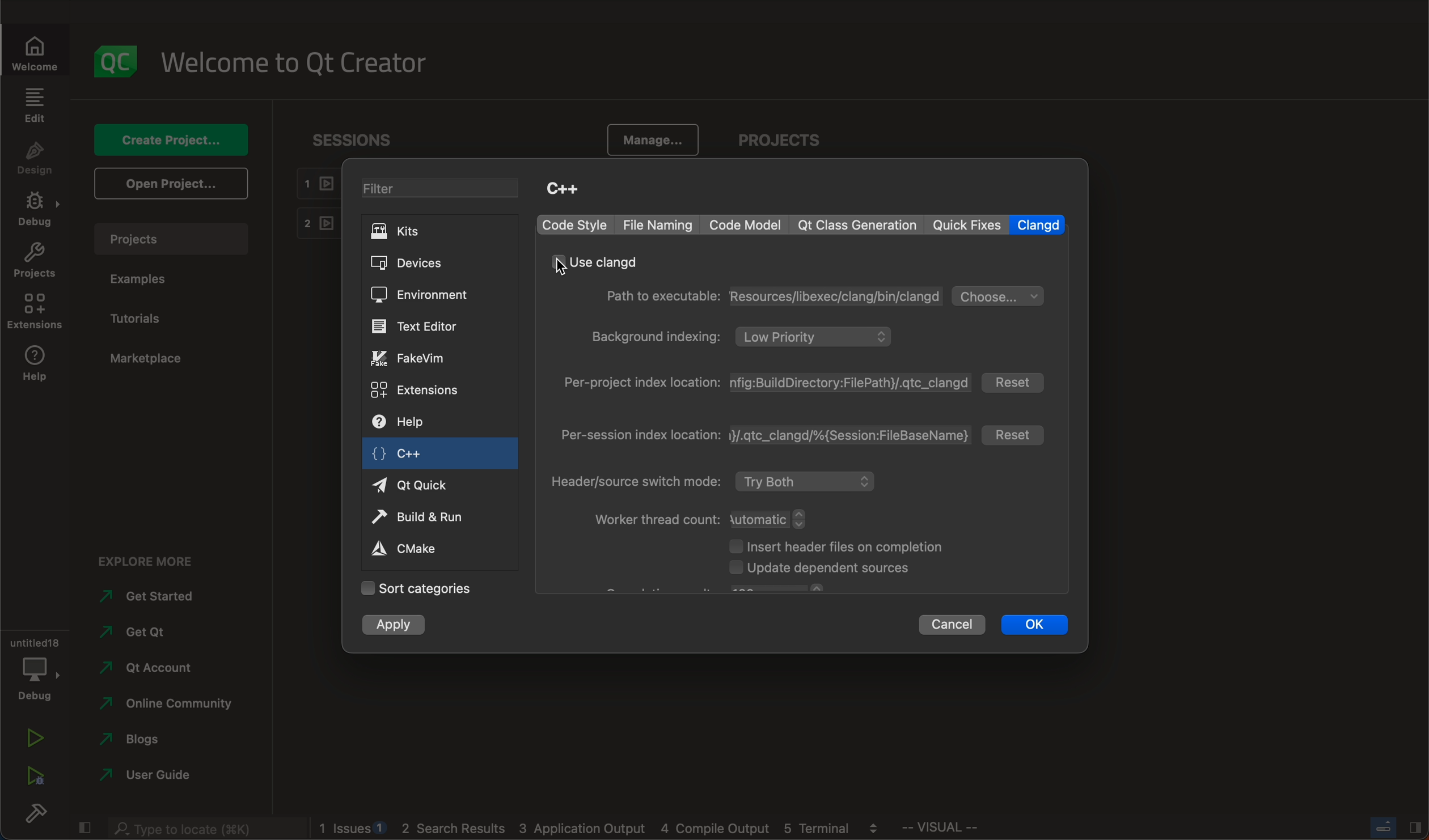 This screenshot has height=840, width=1429. Describe the element at coordinates (425, 234) in the screenshot. I see `KITS` at that location.